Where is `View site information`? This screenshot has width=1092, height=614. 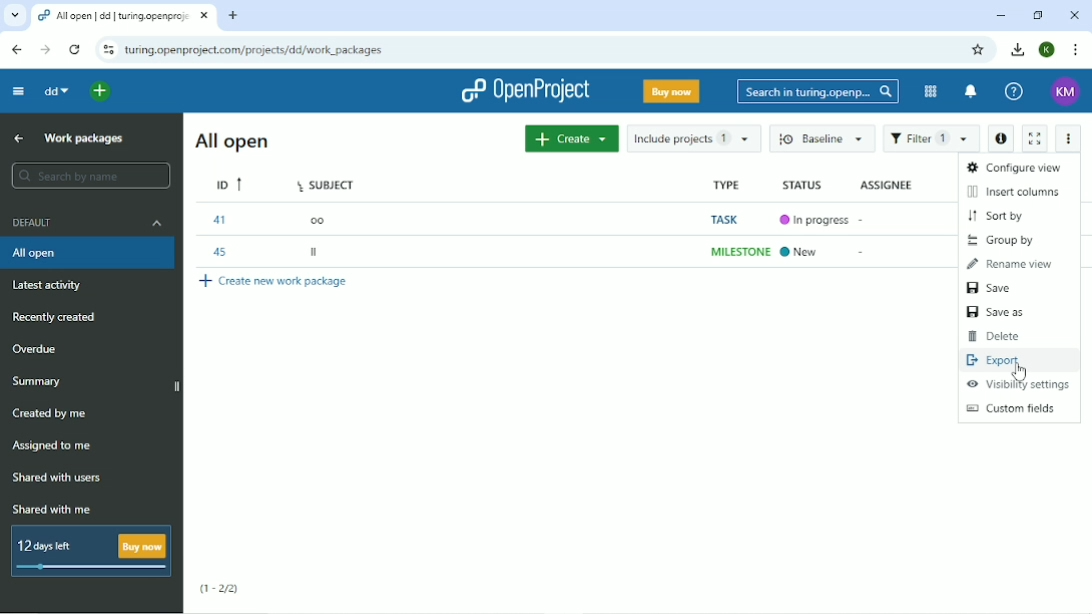 View site information is located at coordinates (108, 49).